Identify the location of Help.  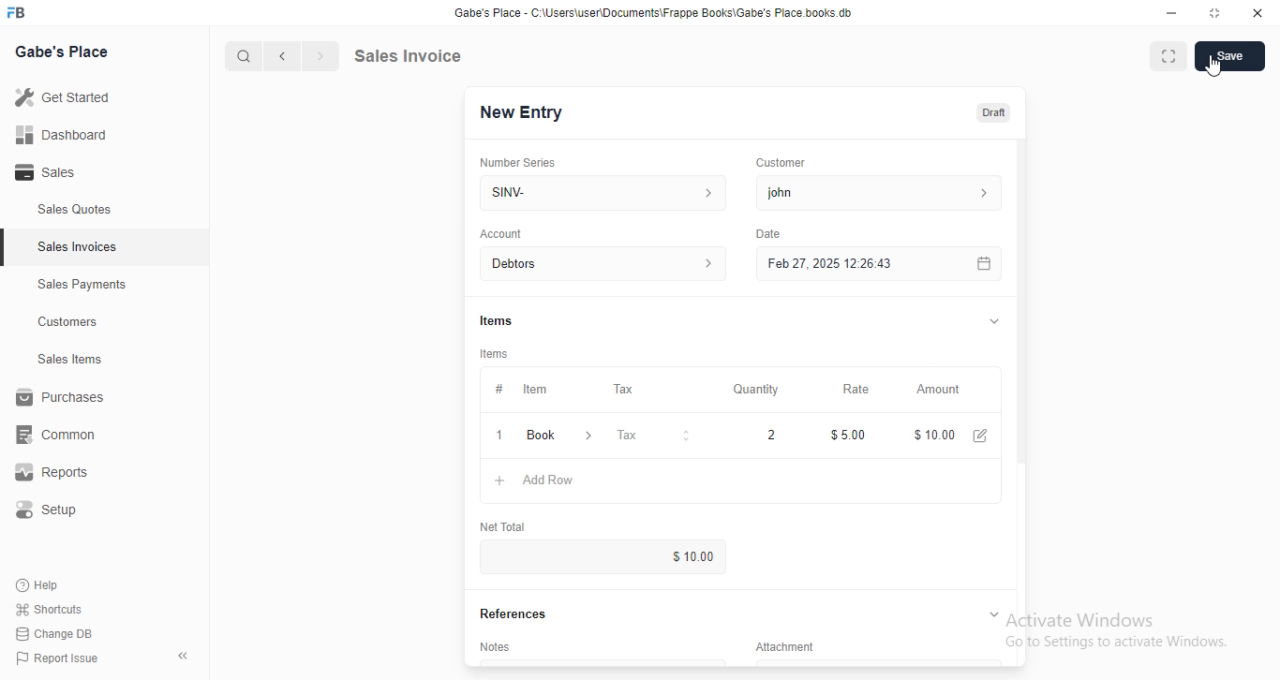
(44, 585).